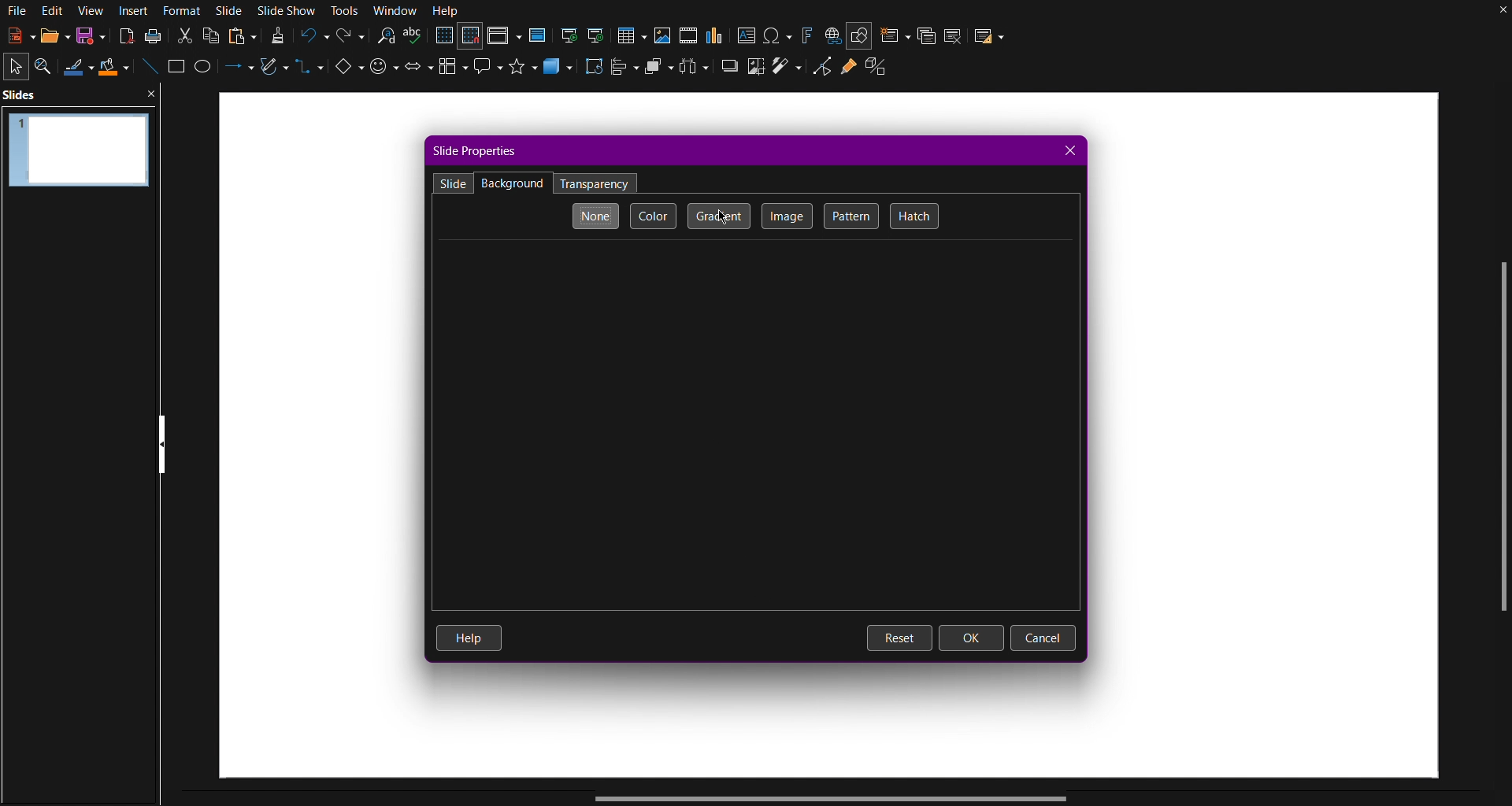  Describe the element at coordinates (17, 65) in the screenshot. I see `Select` at that location.